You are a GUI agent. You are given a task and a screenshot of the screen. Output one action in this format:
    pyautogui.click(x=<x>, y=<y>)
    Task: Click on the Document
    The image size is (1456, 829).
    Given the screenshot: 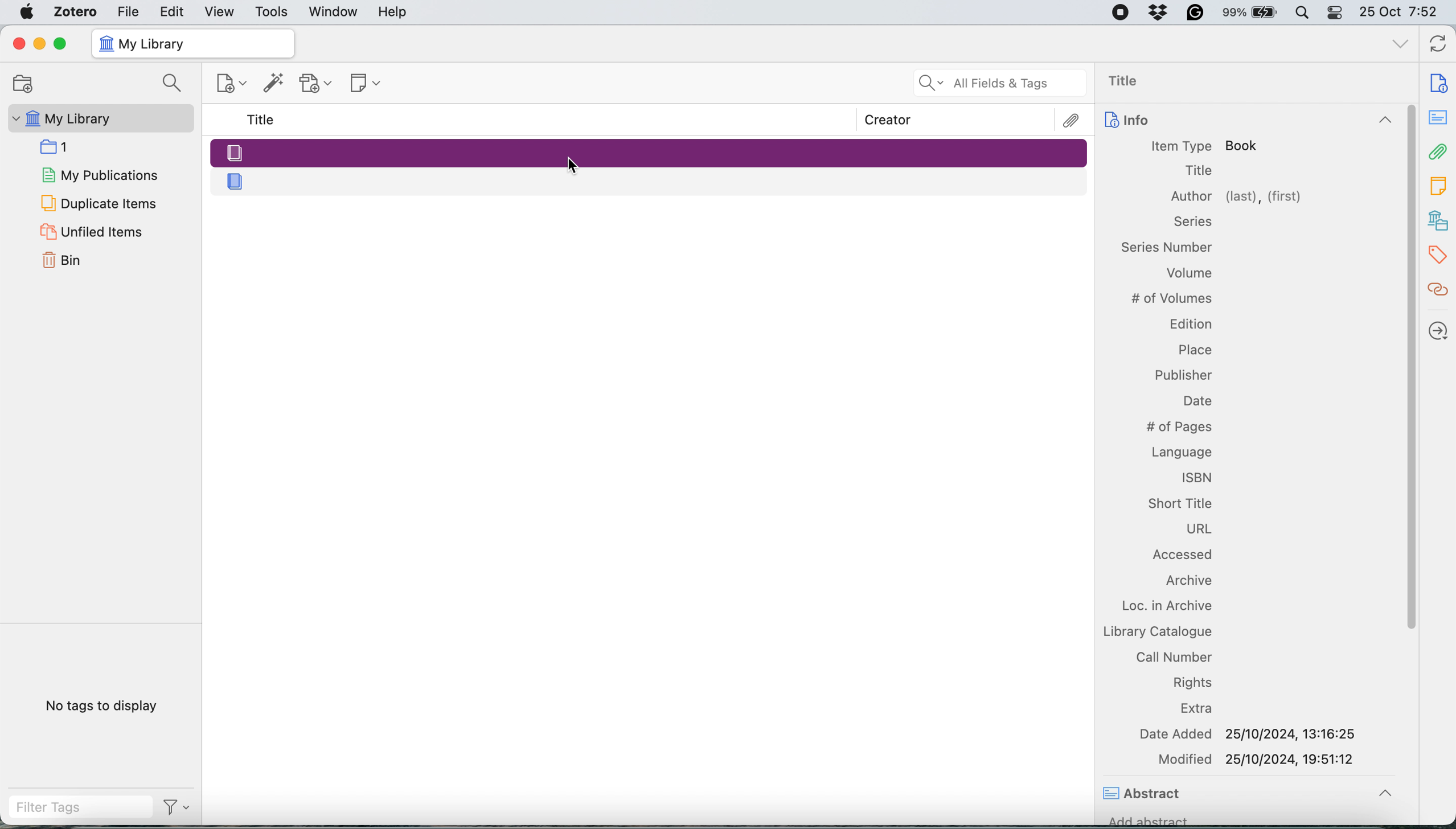 What is the action you would take?
    pyautogui.click(x=1439, y=83)
    